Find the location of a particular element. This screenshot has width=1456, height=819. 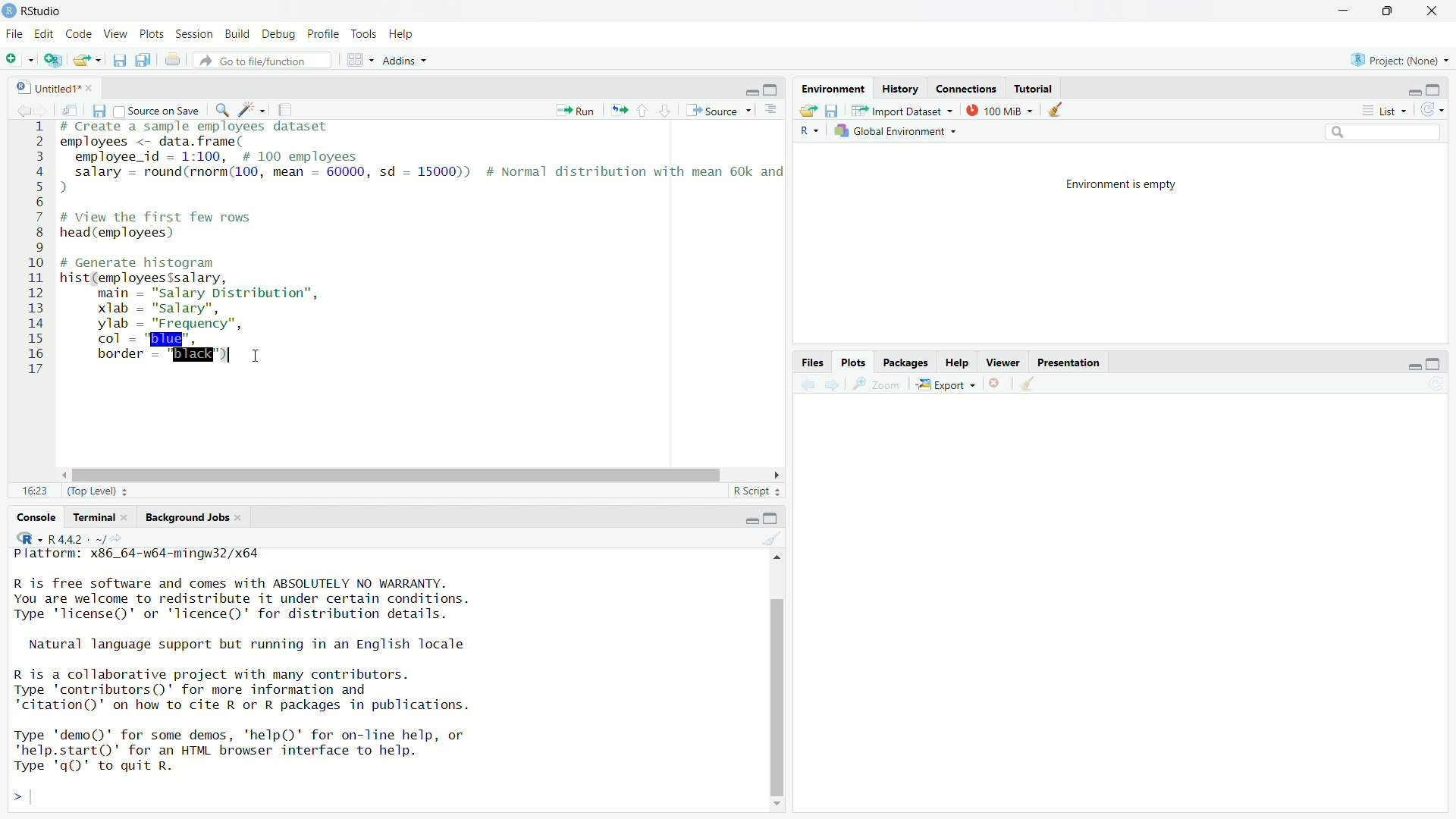

previous is located at coordinates (808, 385).